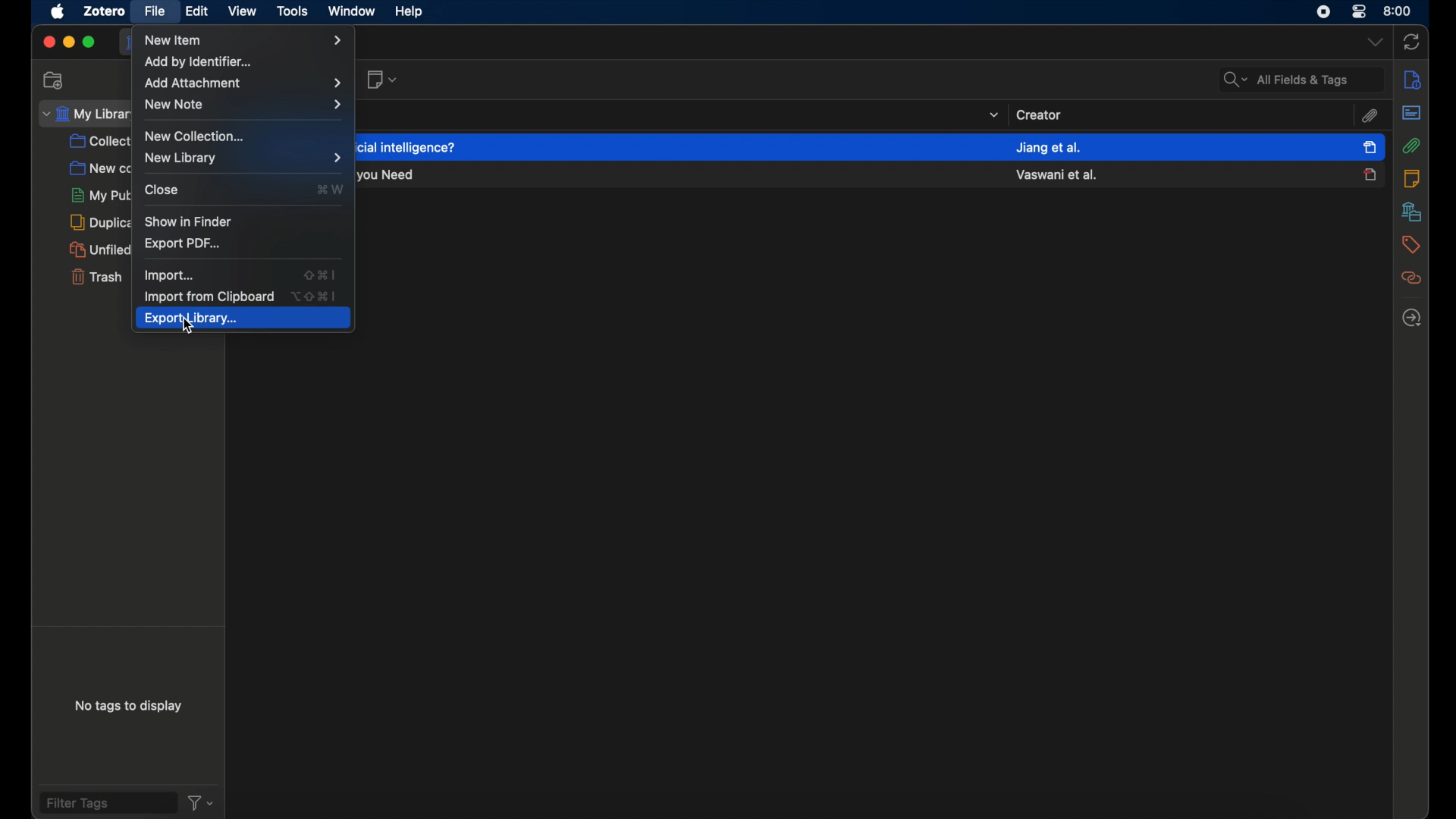  What do you see at coordinates (102, 11) in the screenshot?
I see `zotero` at bounding box center [102, 11].